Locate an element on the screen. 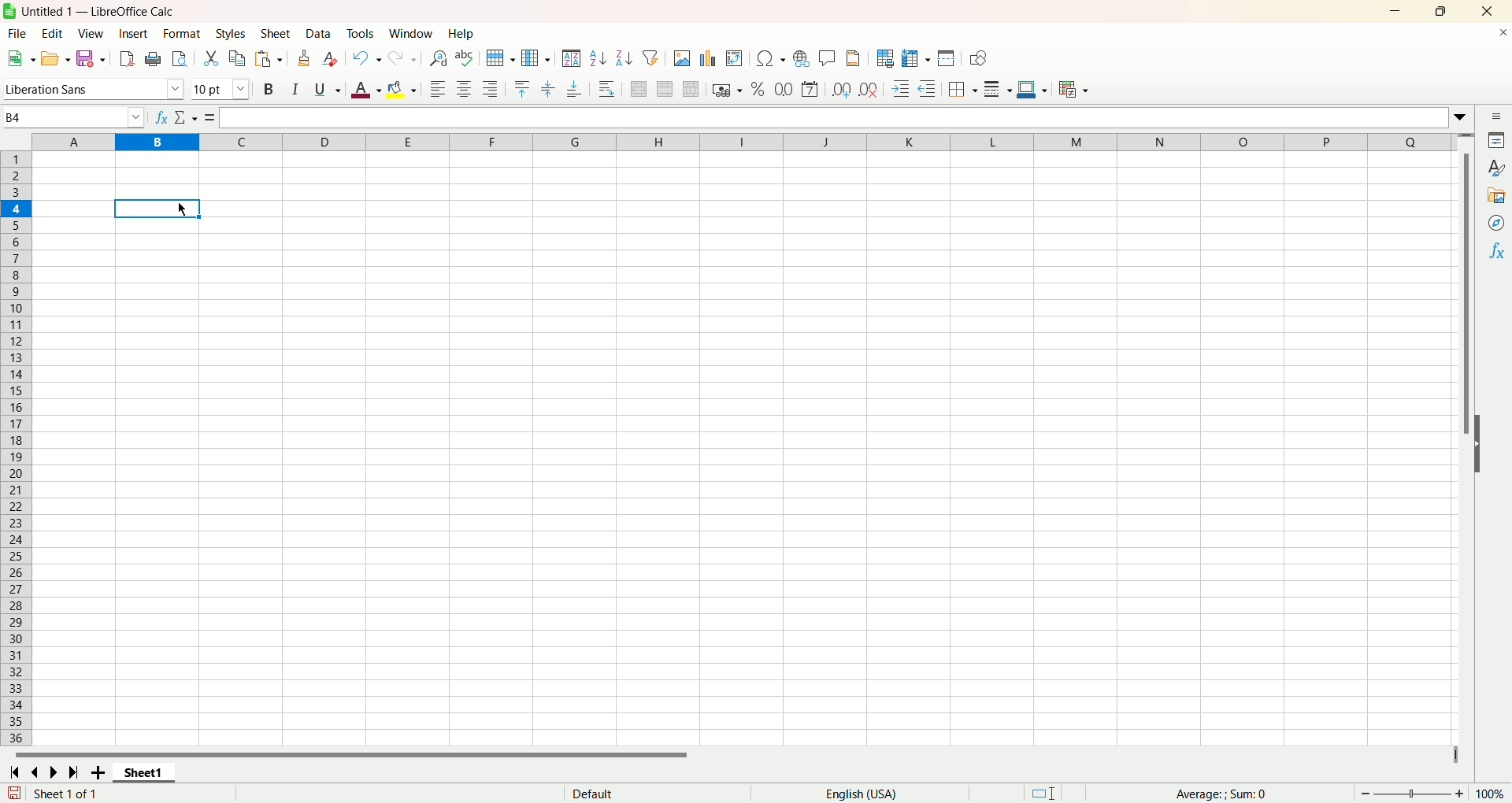  navigator is located at coordinates (1497, 223).